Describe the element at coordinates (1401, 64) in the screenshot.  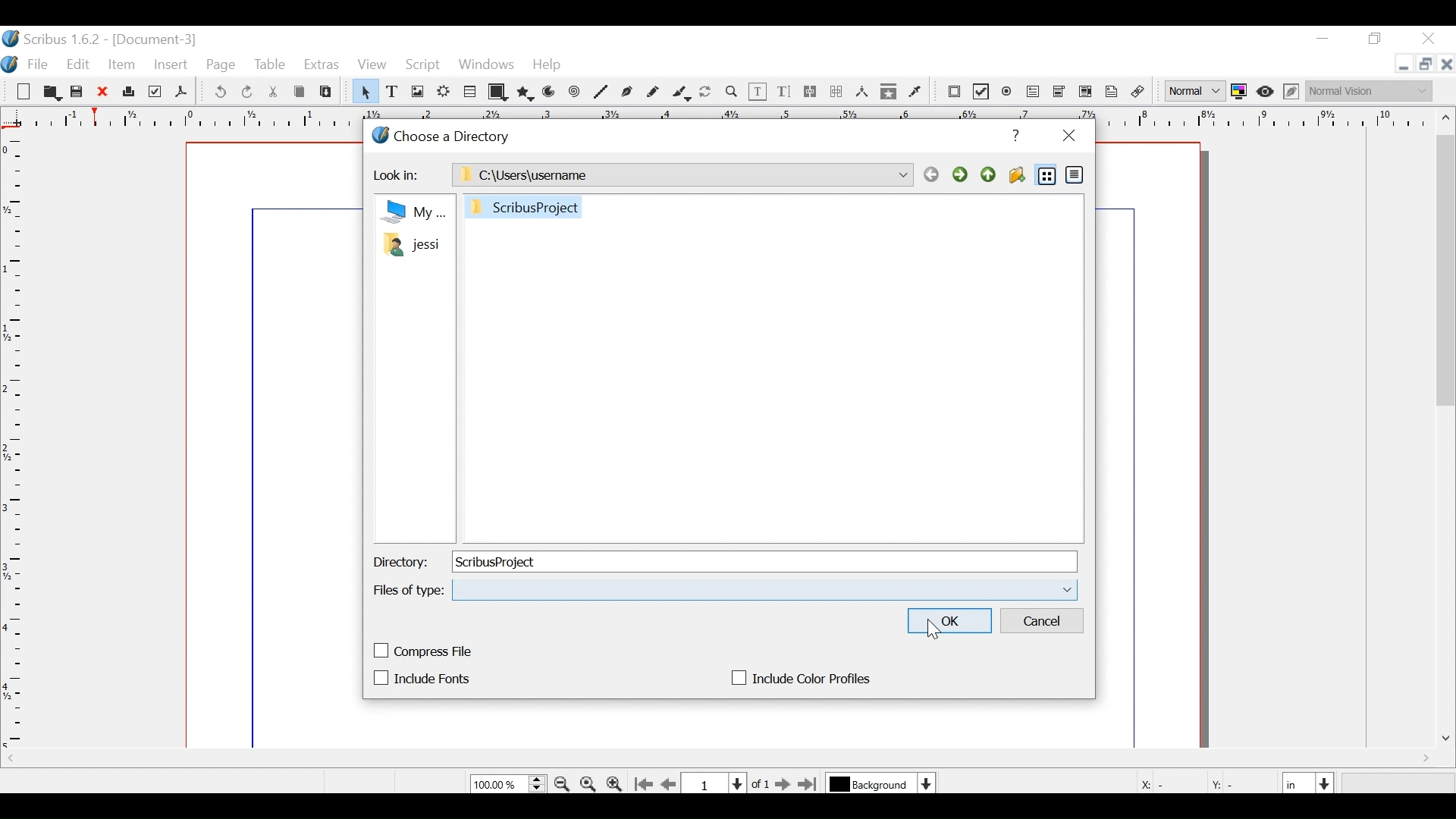
I see `minimize file` at that location.